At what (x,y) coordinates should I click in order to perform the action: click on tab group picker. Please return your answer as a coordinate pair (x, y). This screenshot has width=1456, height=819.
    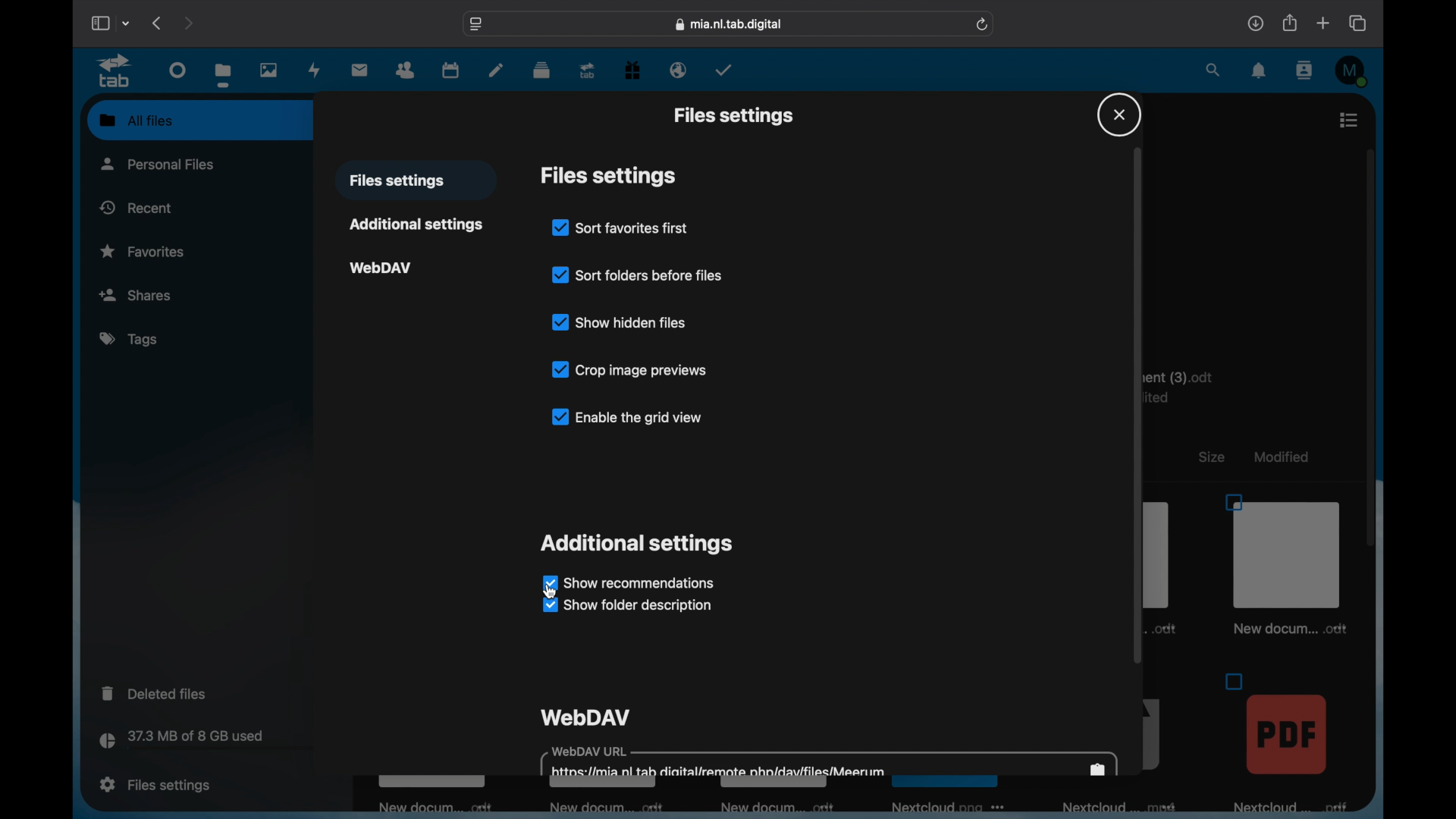
    Looking at the image, I should click on (127, 24).